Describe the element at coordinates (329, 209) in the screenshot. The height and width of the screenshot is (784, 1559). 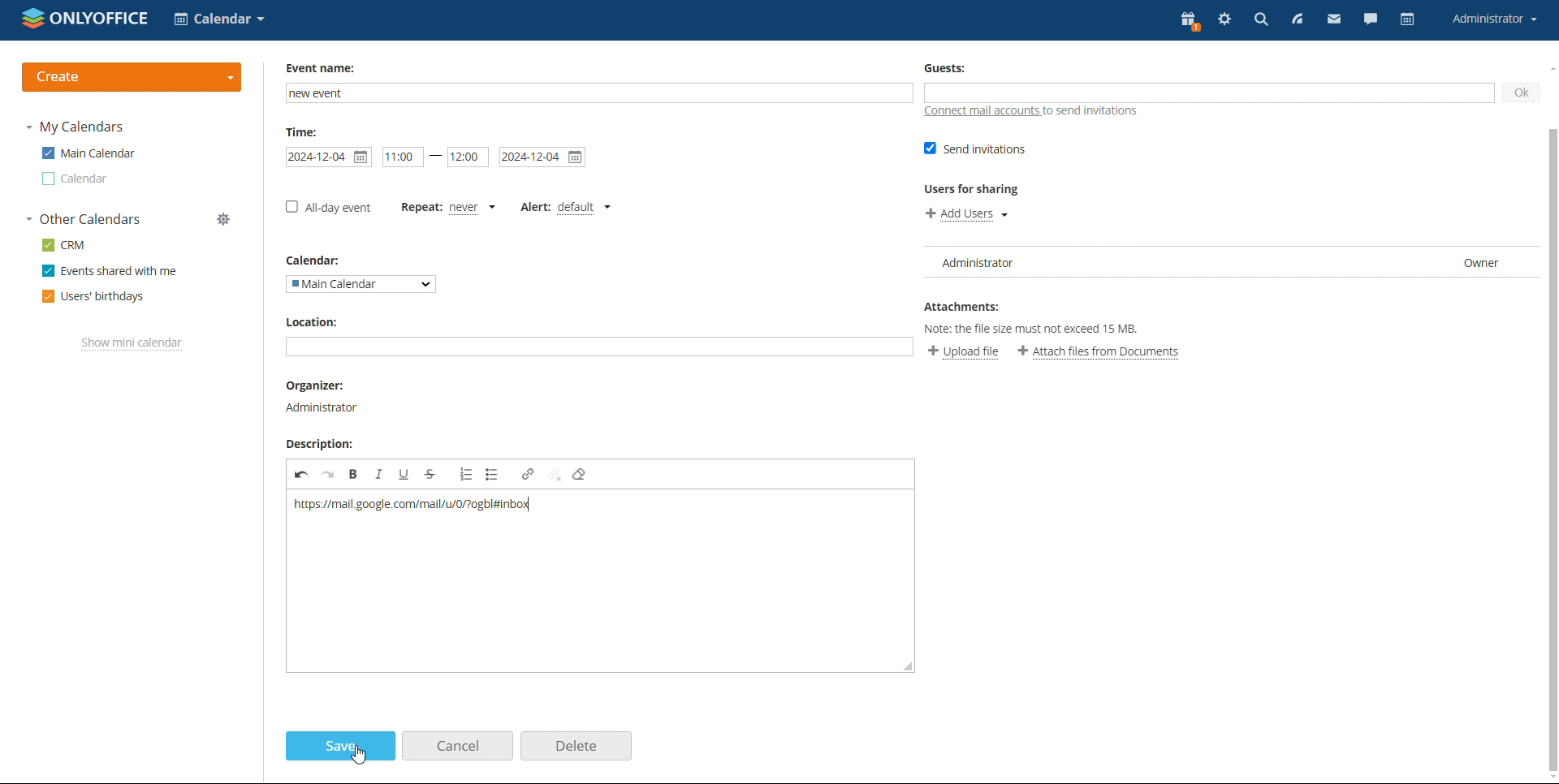
I see `all-day event checkbox` at that location.